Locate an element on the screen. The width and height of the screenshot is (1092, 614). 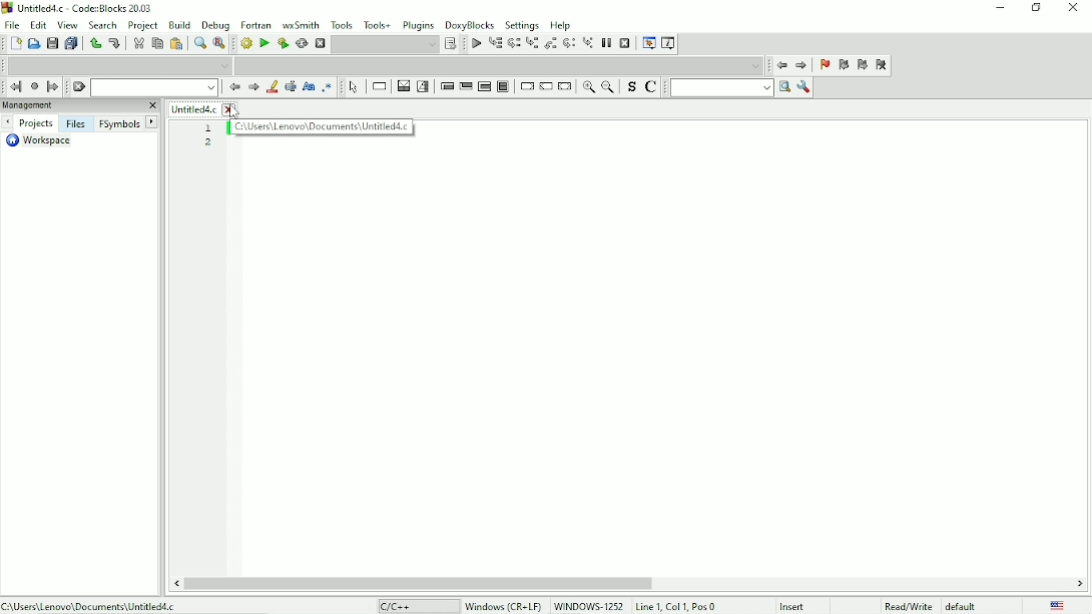
Entry condition loop is located at coordinates (445, 87).